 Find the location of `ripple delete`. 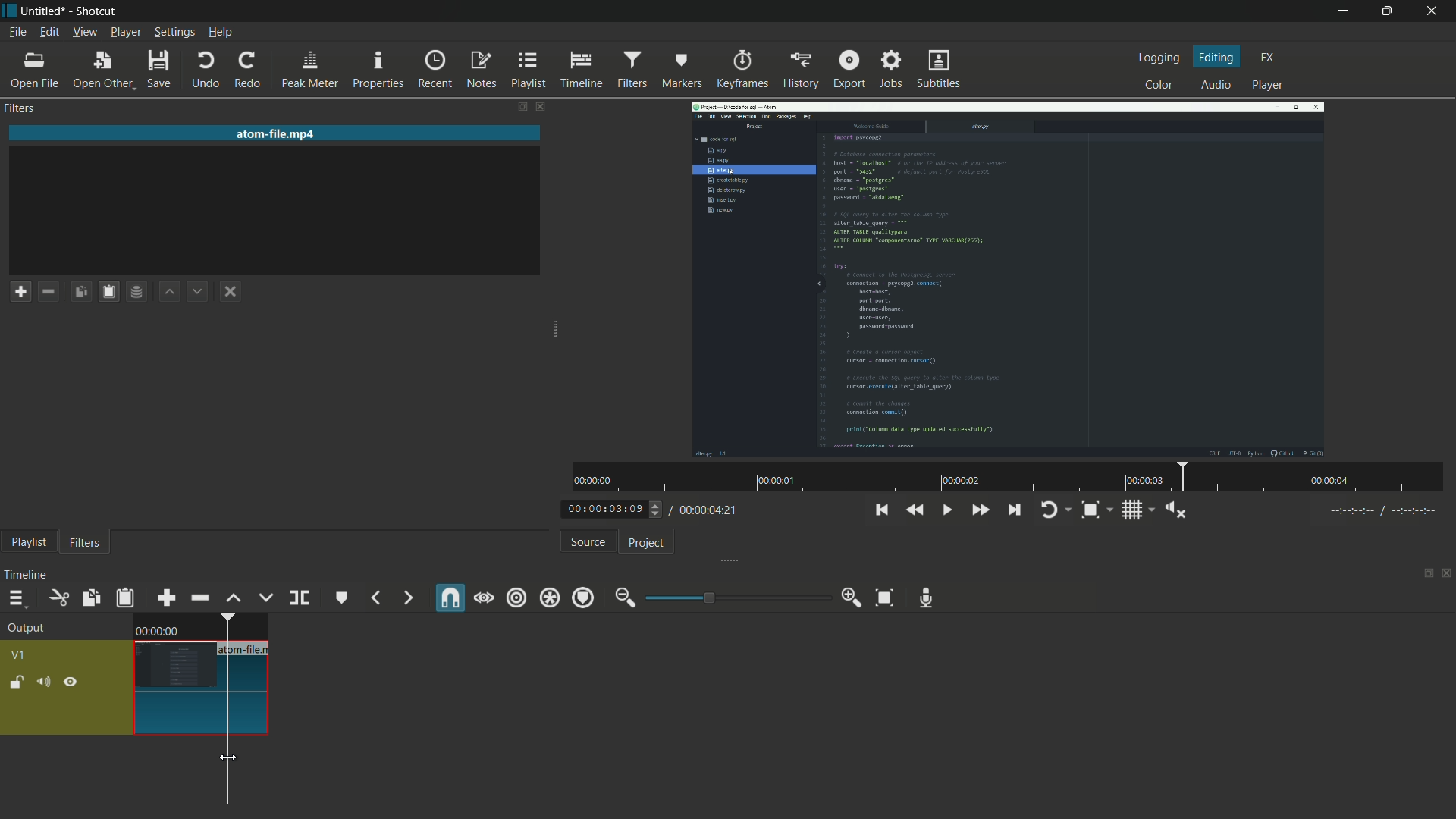

ripple delete is located at coordinates (199, 598).